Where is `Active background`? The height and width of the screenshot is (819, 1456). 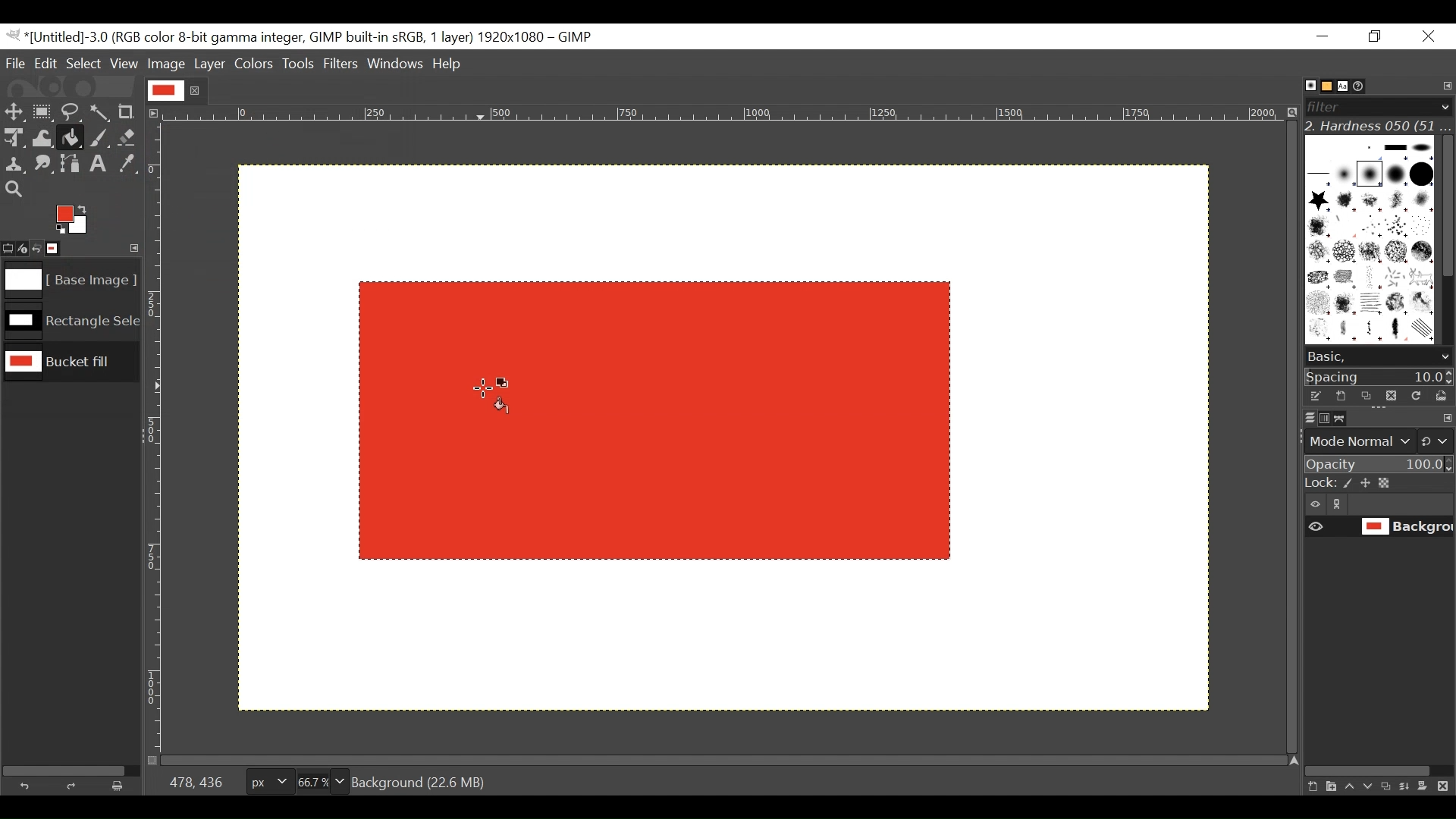 Active background is located at coordinates (503, 383).